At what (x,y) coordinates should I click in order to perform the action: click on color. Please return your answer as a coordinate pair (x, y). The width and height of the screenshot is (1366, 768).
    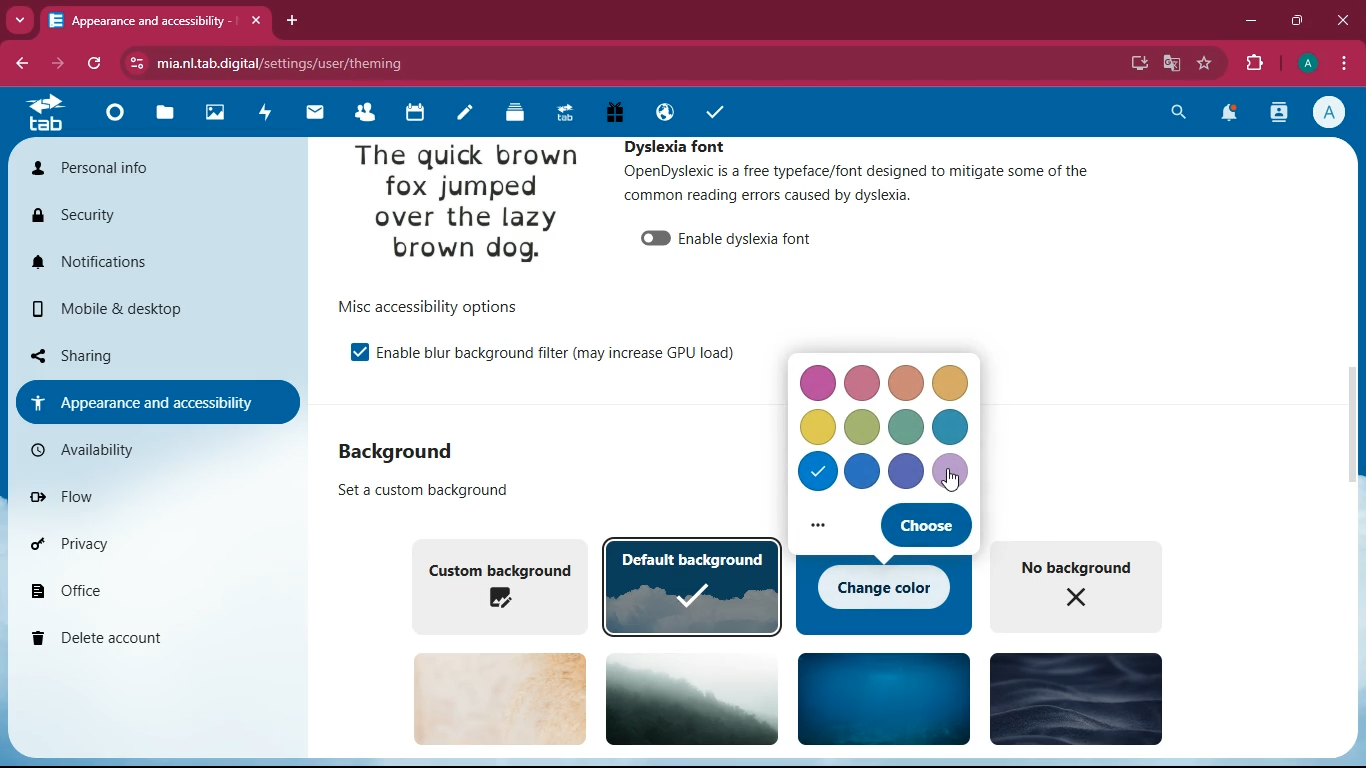
    Looking at the image, I should click on (815, 427).